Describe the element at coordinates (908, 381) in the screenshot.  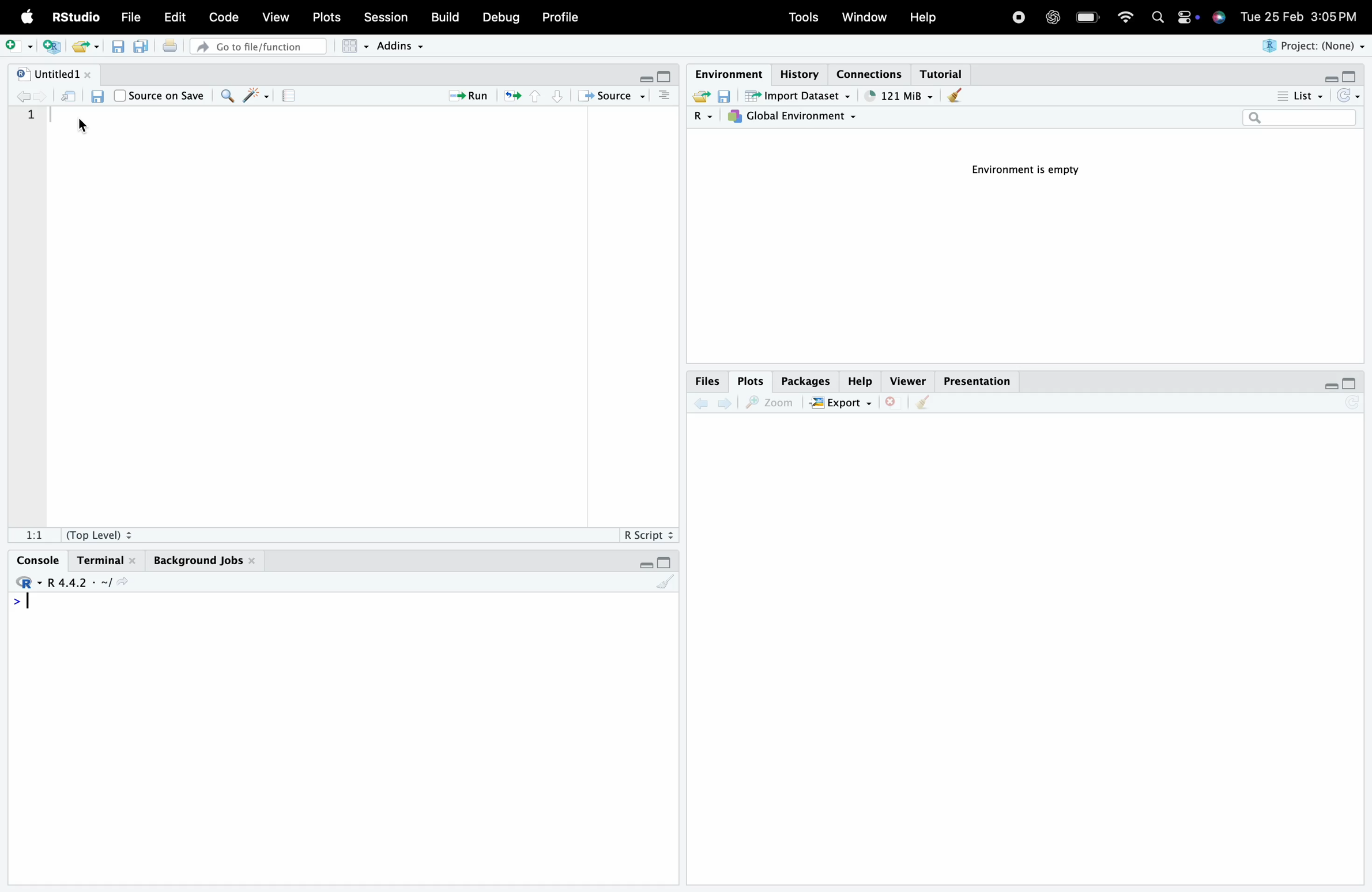
I see `Viewer` at that location.